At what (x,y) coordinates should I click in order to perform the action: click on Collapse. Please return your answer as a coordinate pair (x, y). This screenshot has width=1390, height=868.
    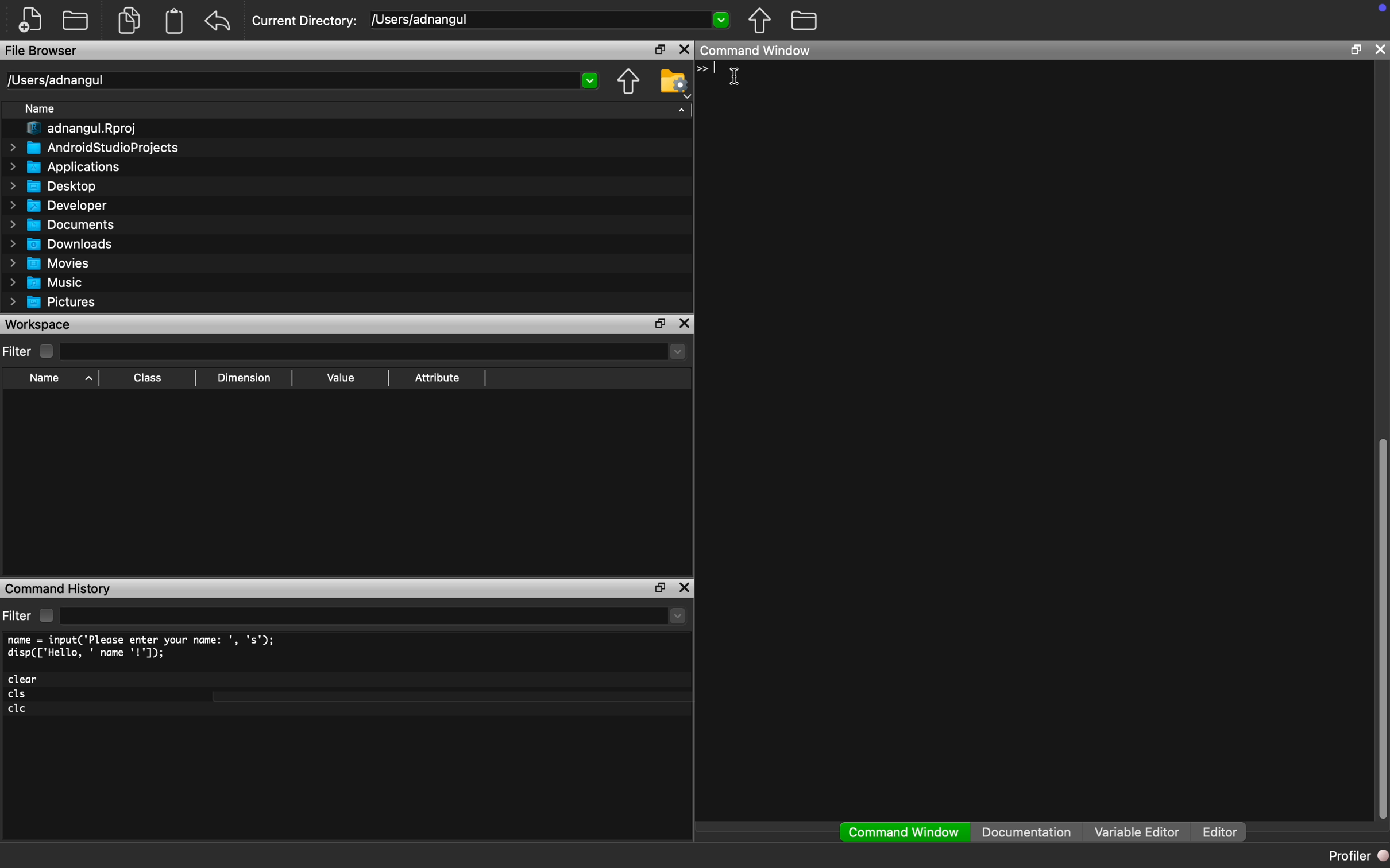
    Looking at the image, I should click on (682, 110).